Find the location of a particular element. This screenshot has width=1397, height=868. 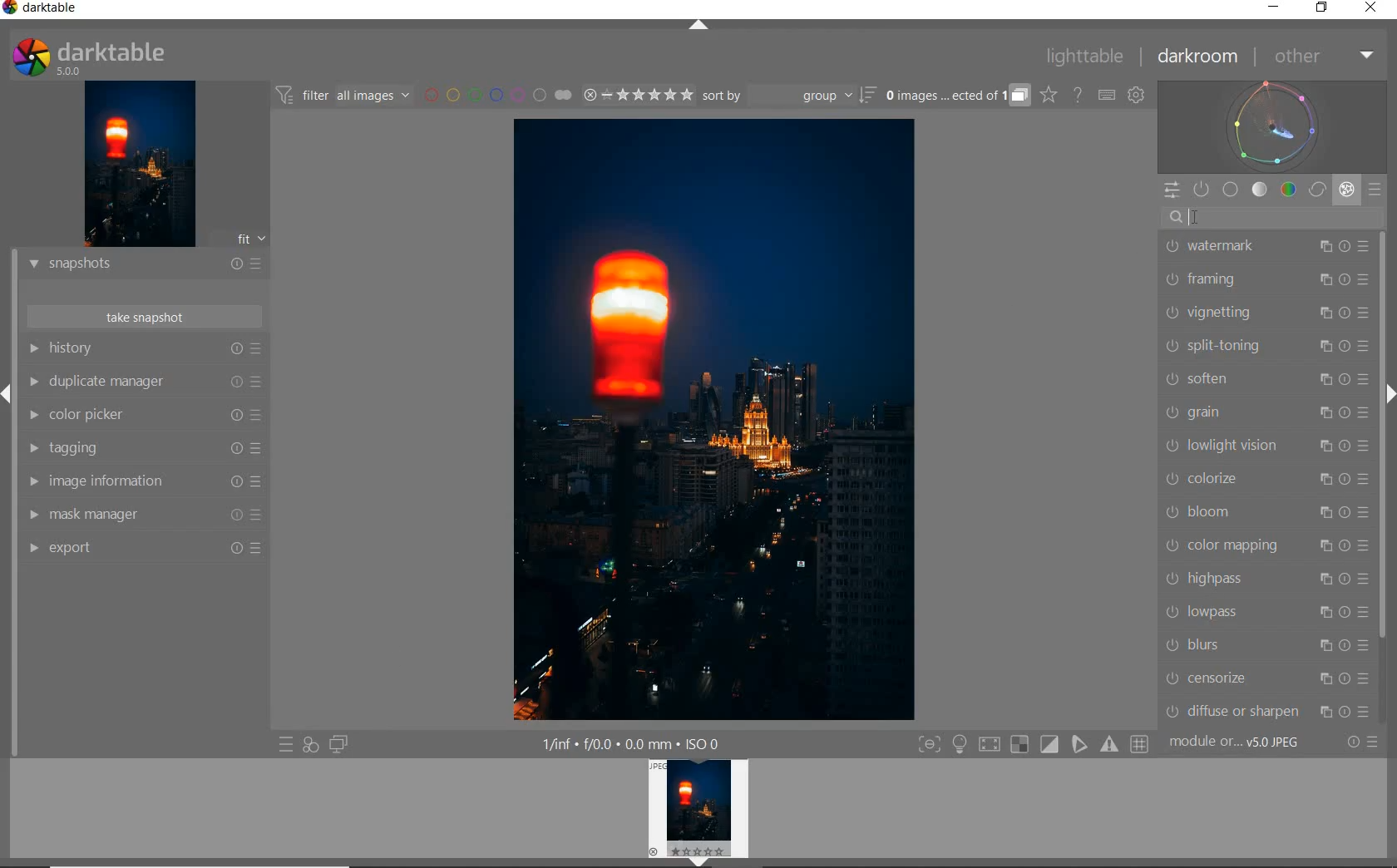

Multiple instance is located at coordinates (1316, 380).